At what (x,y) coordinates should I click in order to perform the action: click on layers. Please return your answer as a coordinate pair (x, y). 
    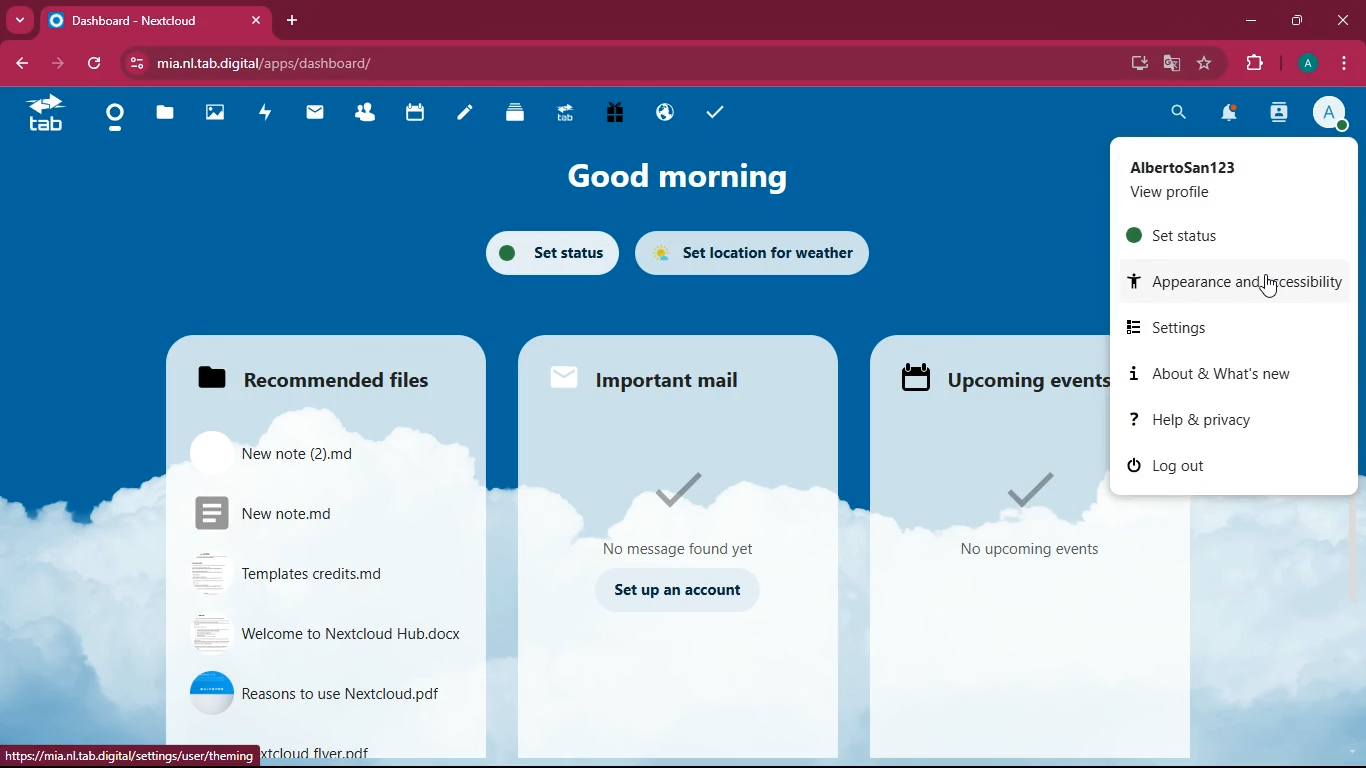
    Looking at the image, I should click on (515, 115).